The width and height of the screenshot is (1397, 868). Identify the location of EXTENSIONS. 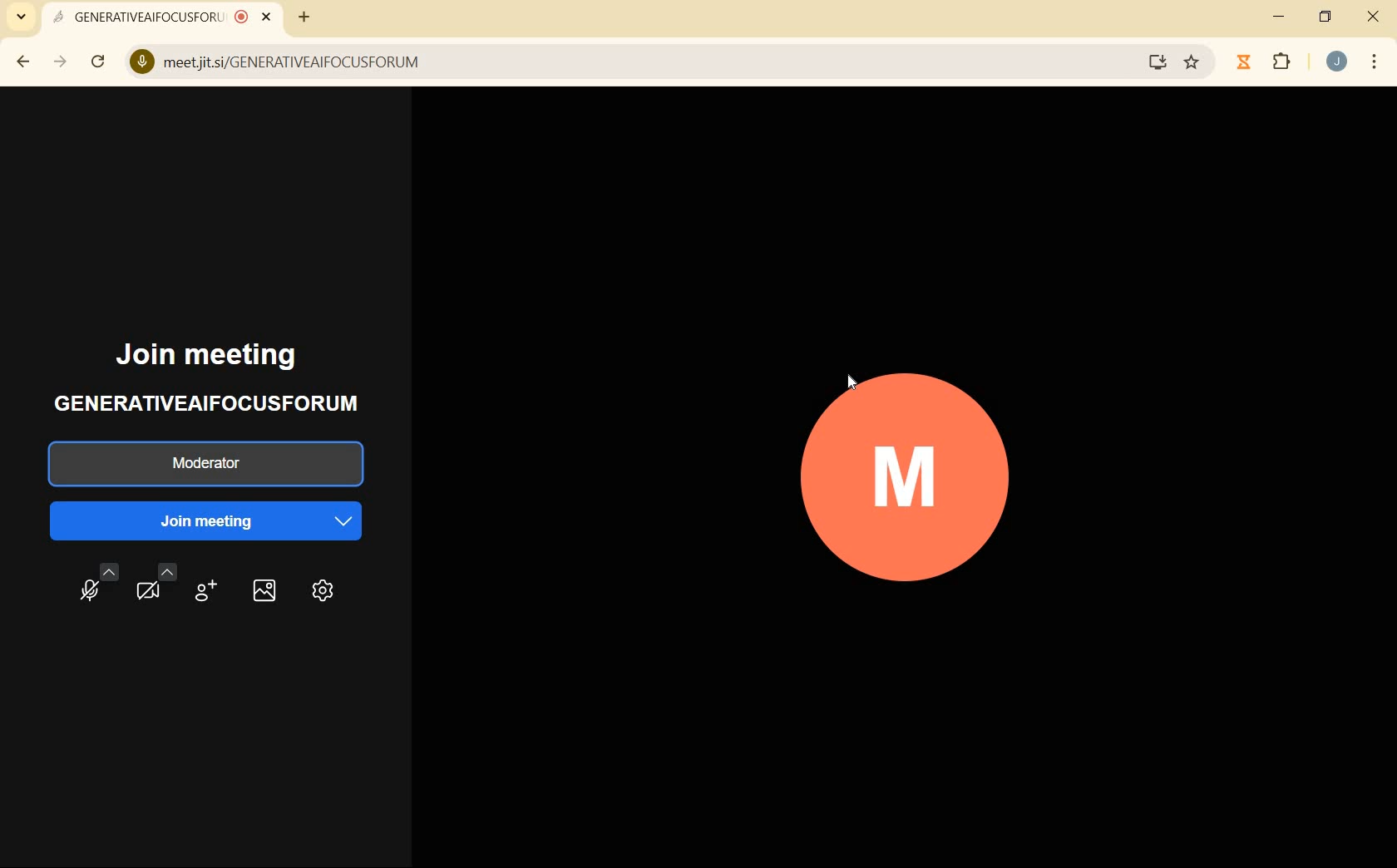
(1281, 62).